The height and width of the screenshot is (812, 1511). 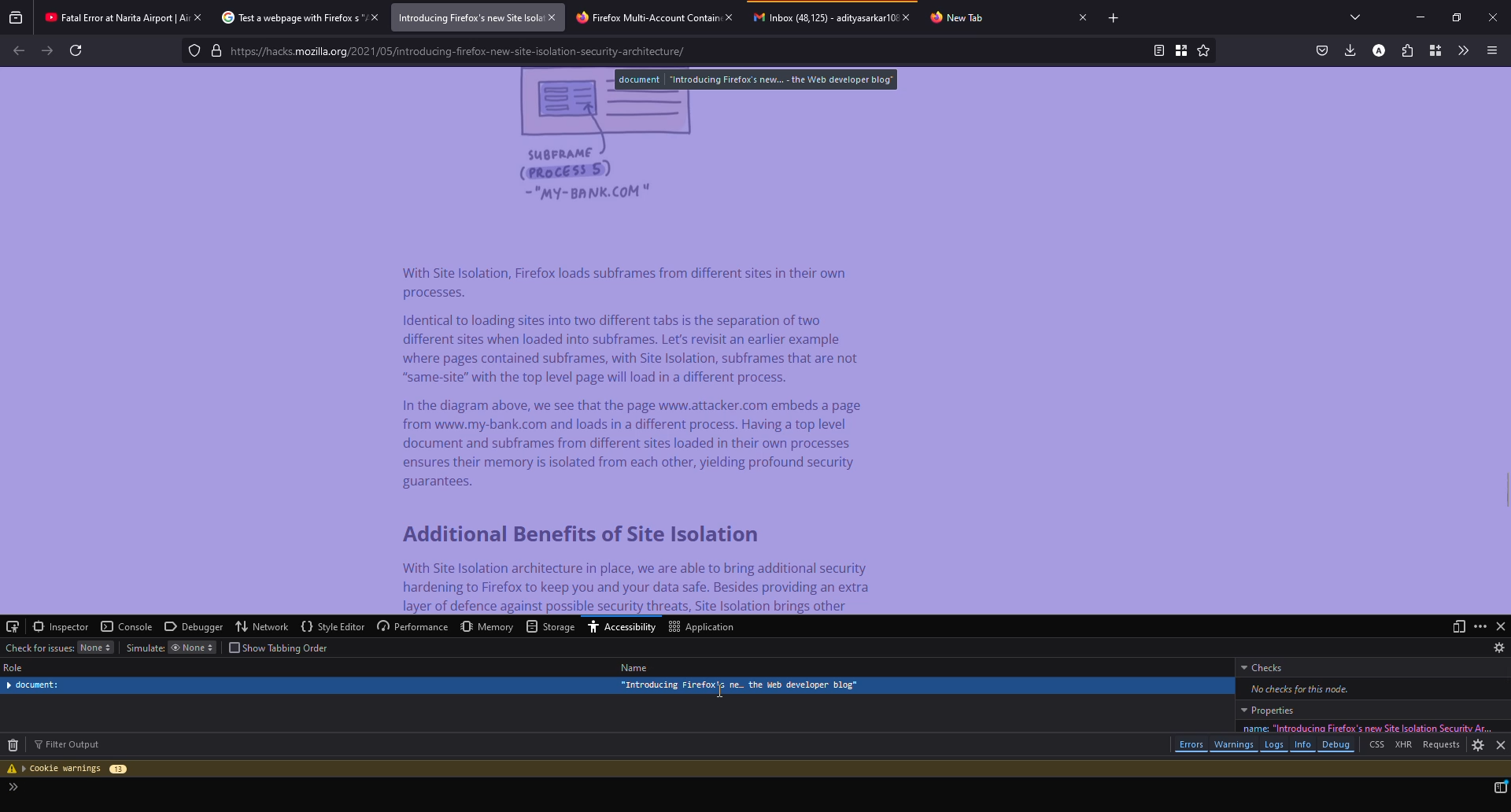 I want to click on logs, so click(x=1275, y=745).